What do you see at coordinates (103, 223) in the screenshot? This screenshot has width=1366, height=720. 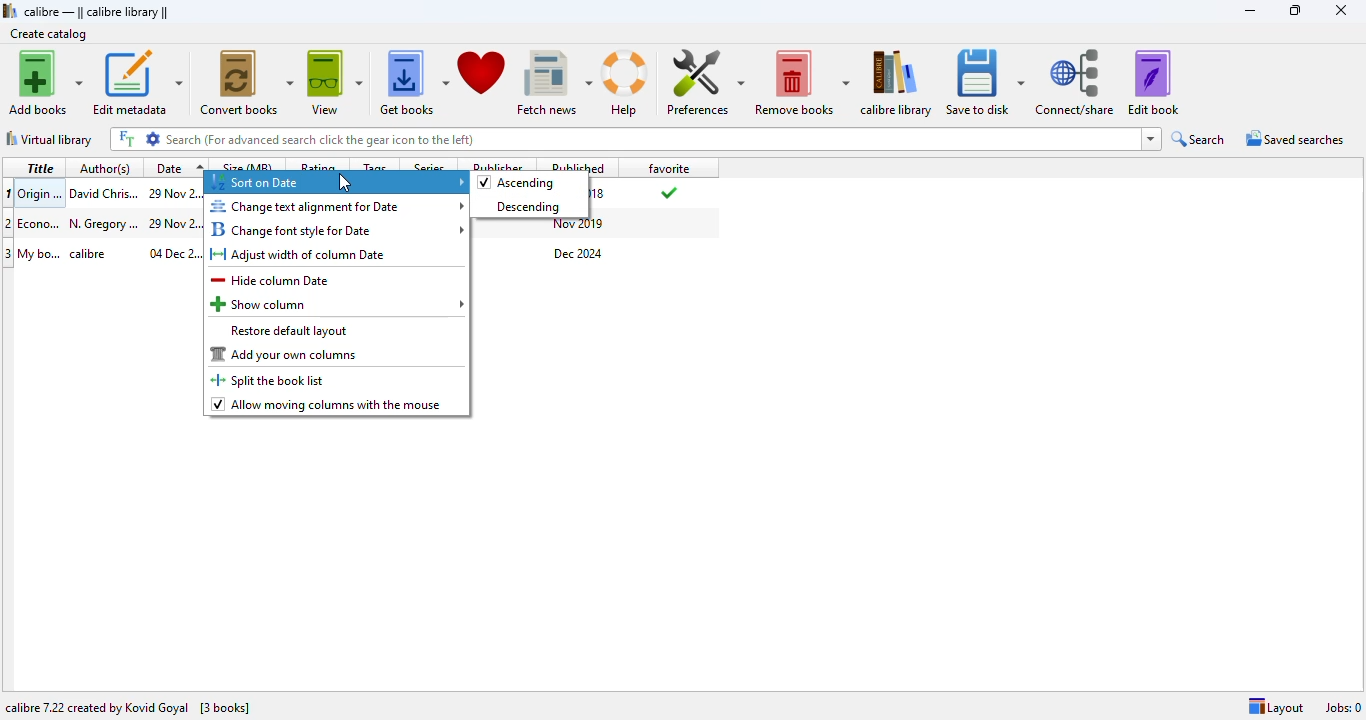 I see `author` at bounding box center [103, 223].